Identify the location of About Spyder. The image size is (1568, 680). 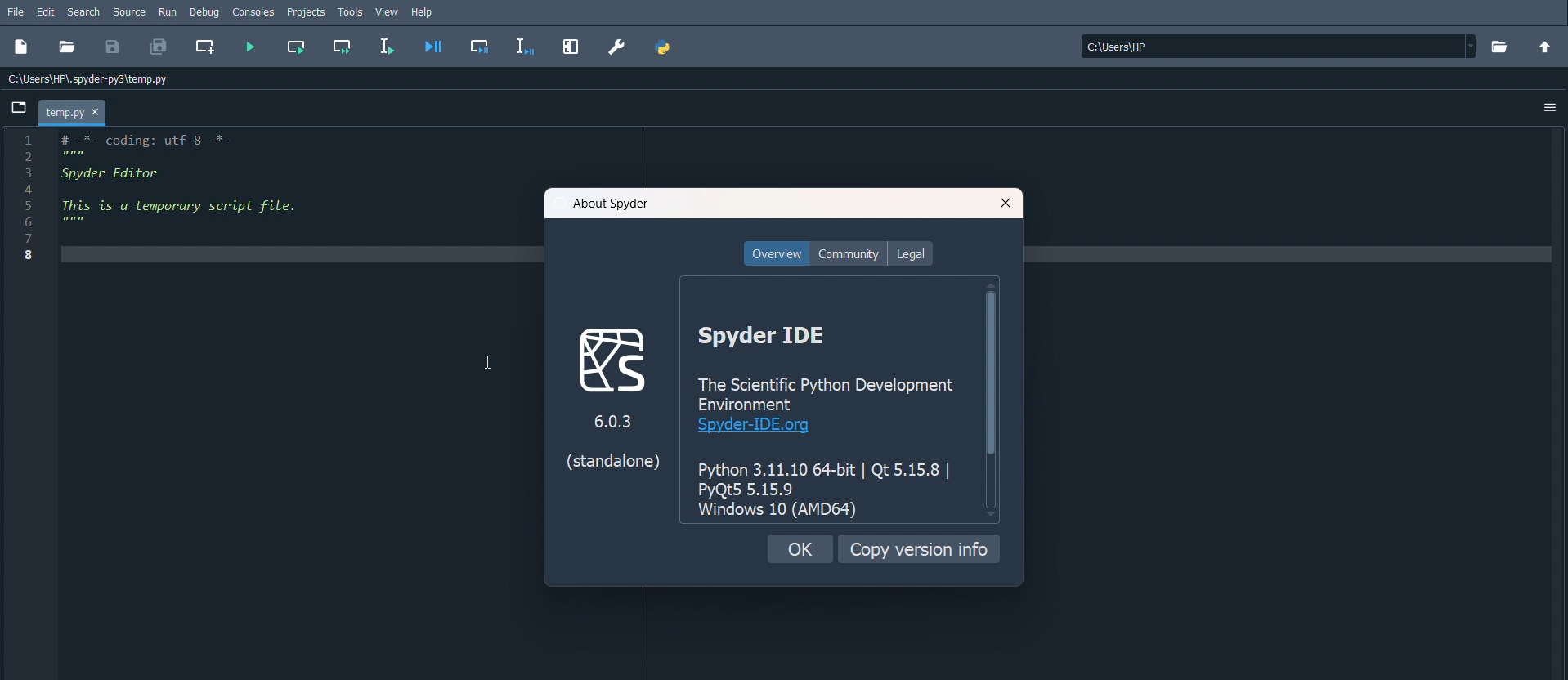
(611, 204).